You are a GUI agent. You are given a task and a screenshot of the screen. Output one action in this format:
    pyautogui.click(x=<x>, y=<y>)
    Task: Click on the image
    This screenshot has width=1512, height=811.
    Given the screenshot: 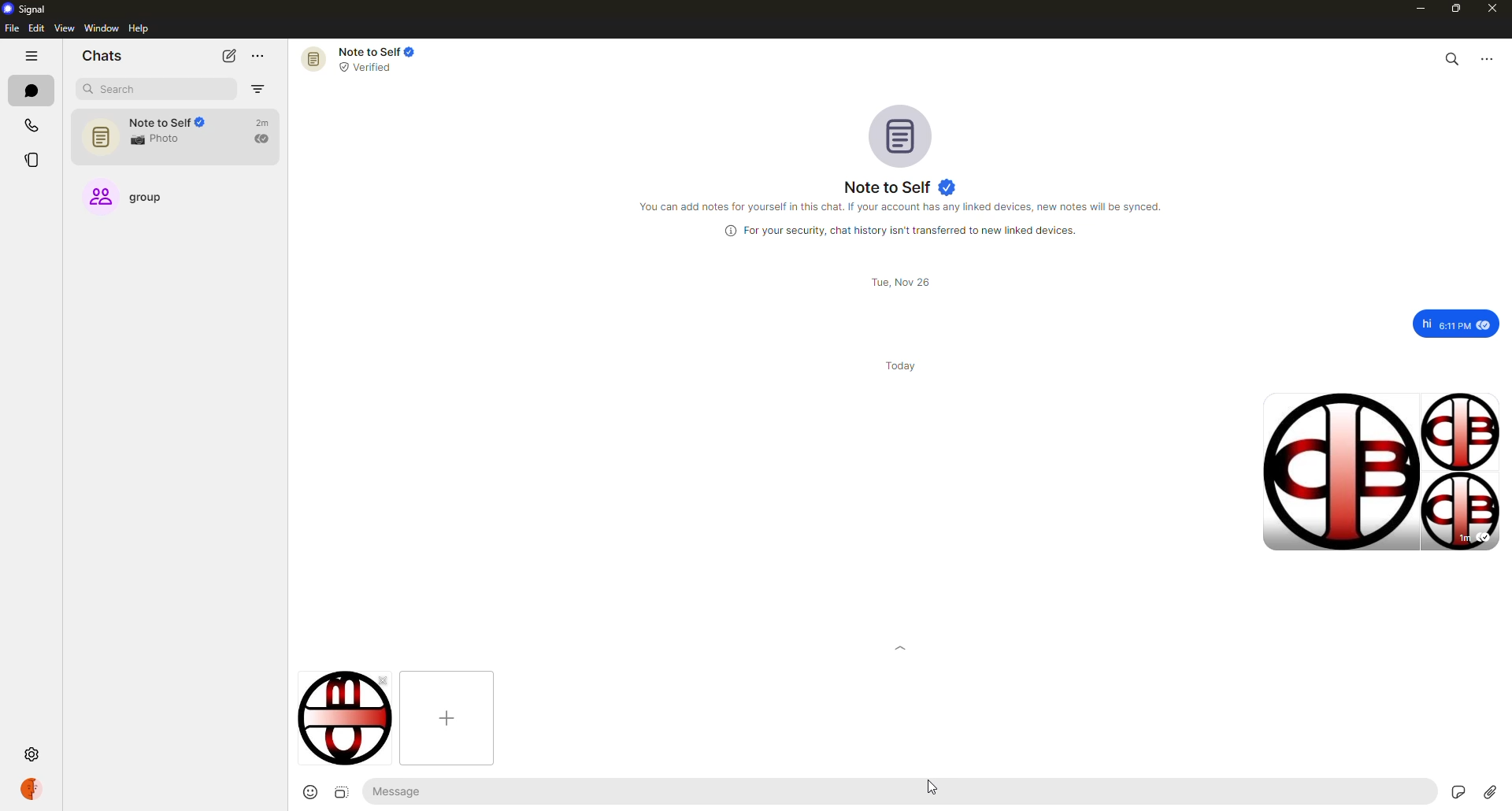 What is the action you would take?
    pyautogui.click(x=339, y=792)
    